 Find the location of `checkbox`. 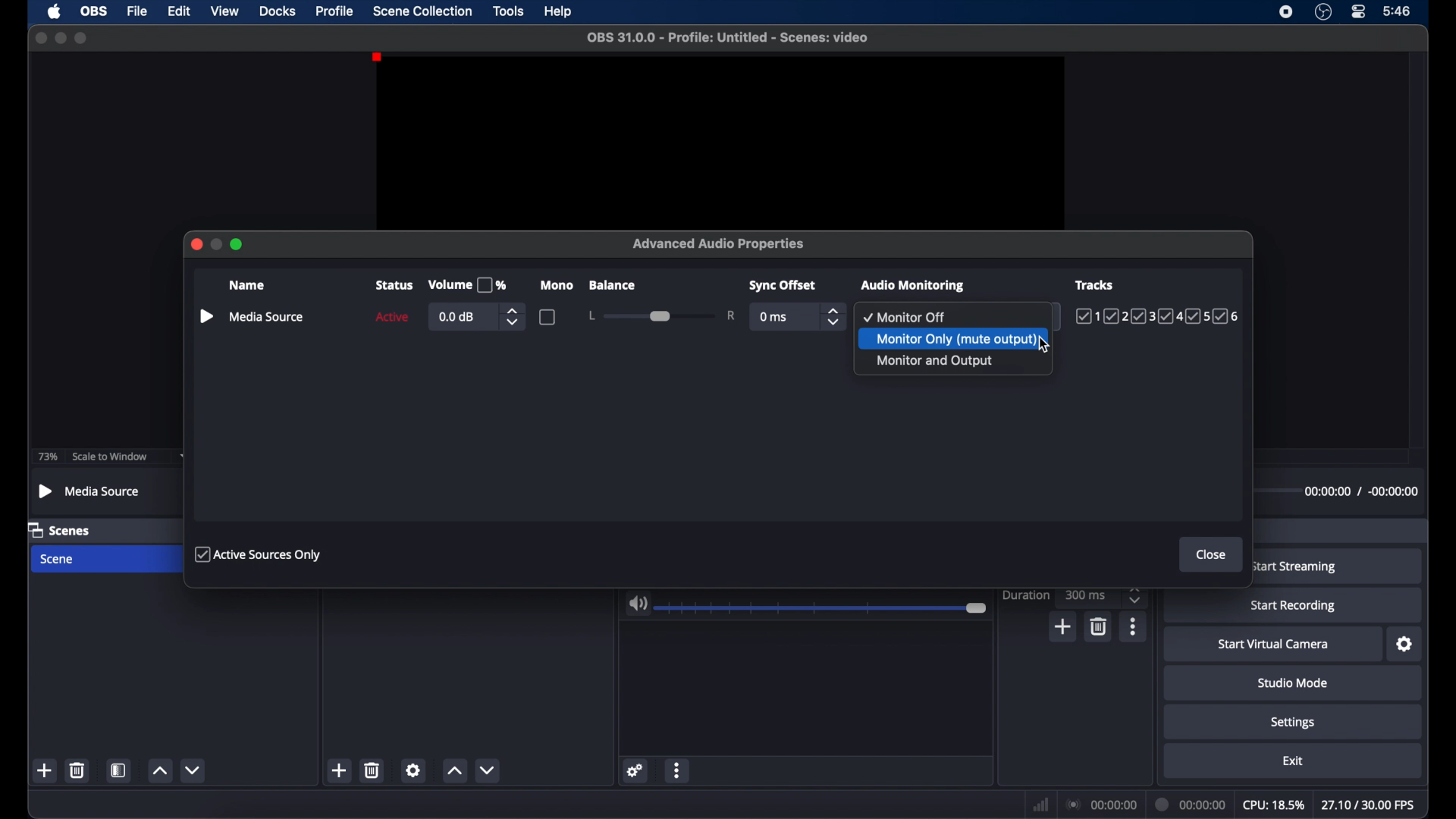

checkbox is located at coordinates (548, 316).